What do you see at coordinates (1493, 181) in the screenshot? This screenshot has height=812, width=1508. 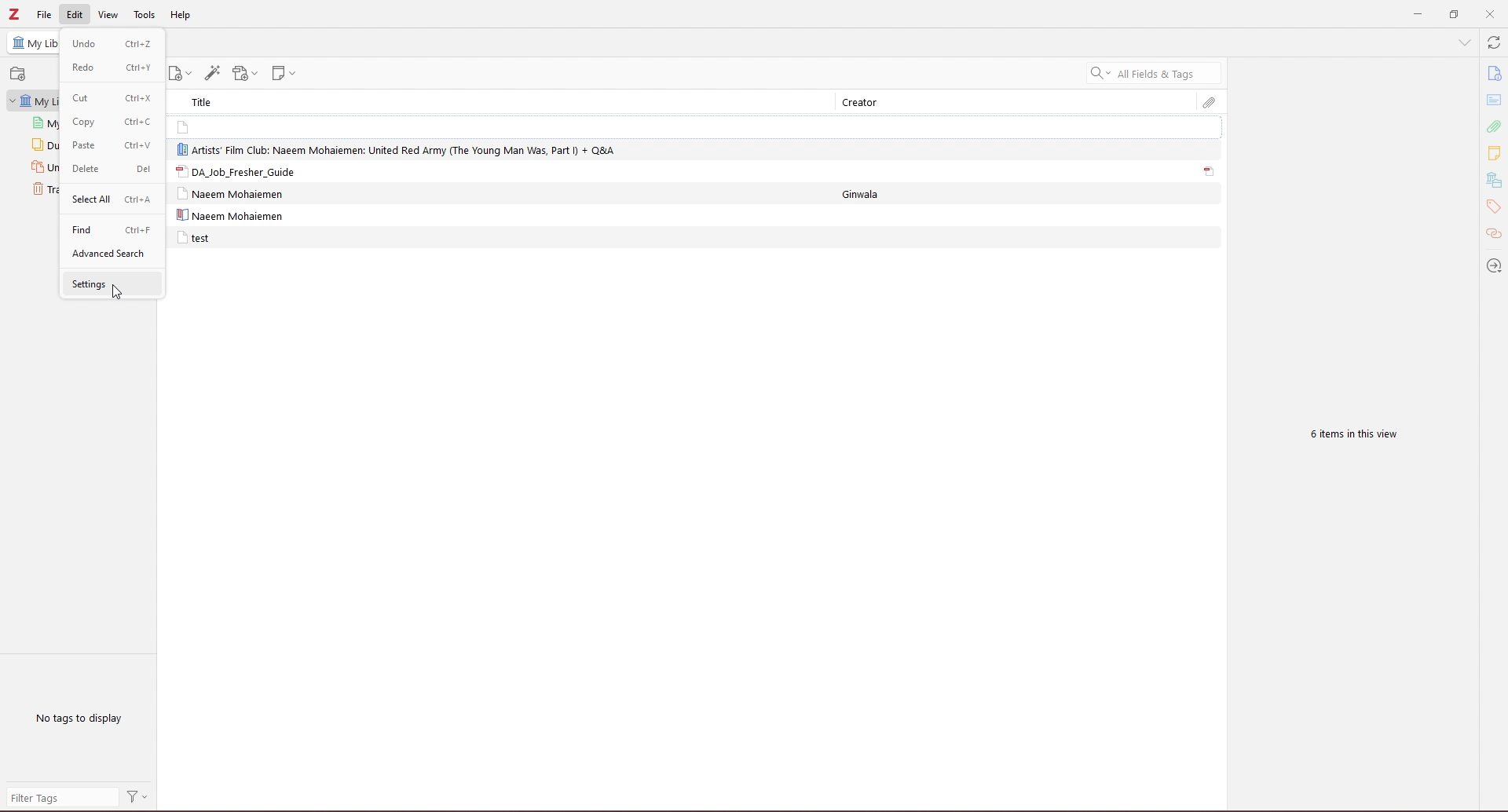 I see `libraries and collection` at bounding box center [1493, 181].